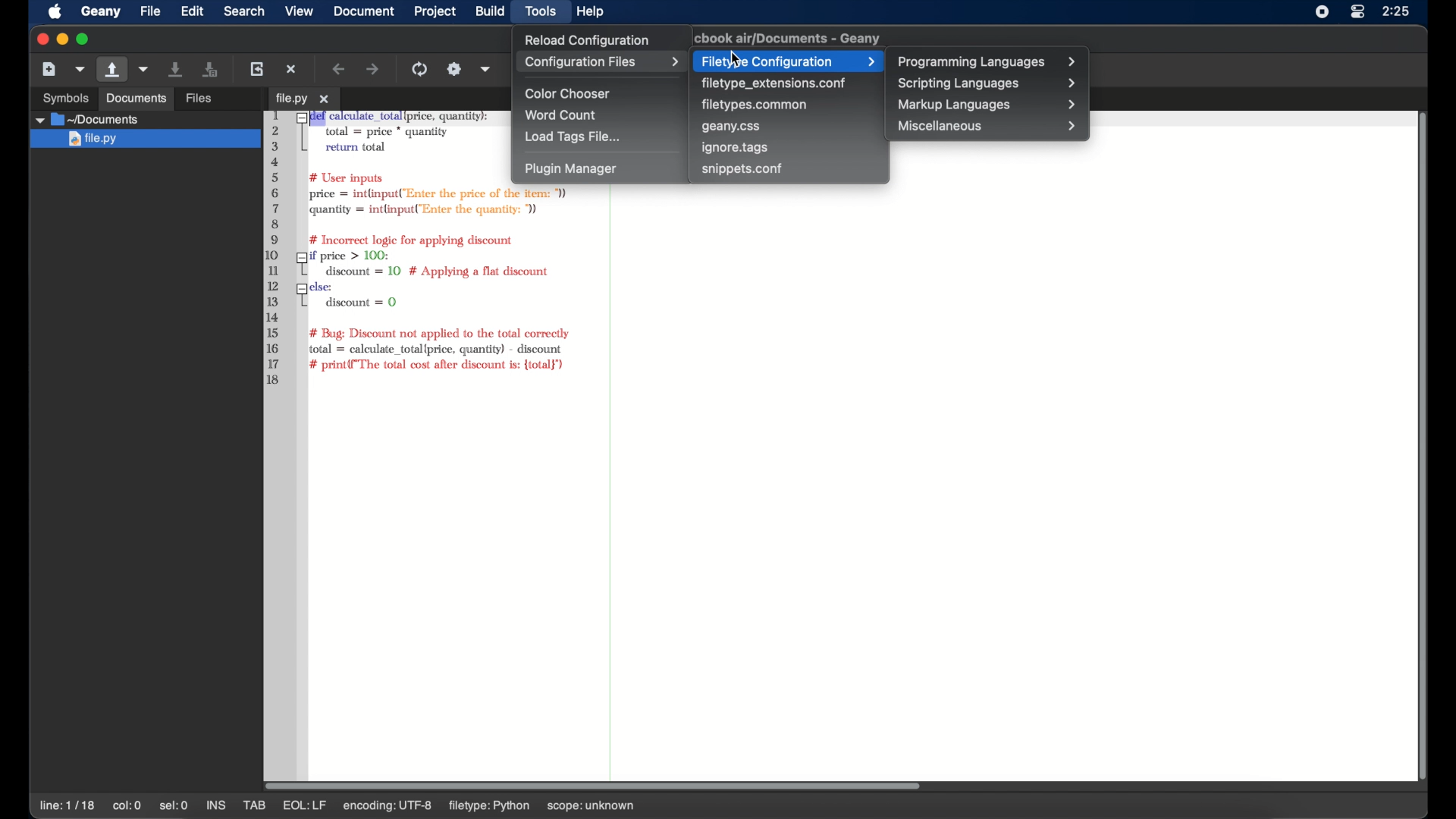  Describe the element at coordinates (177, 68) in the screenshot. I see `save current file` at that location.